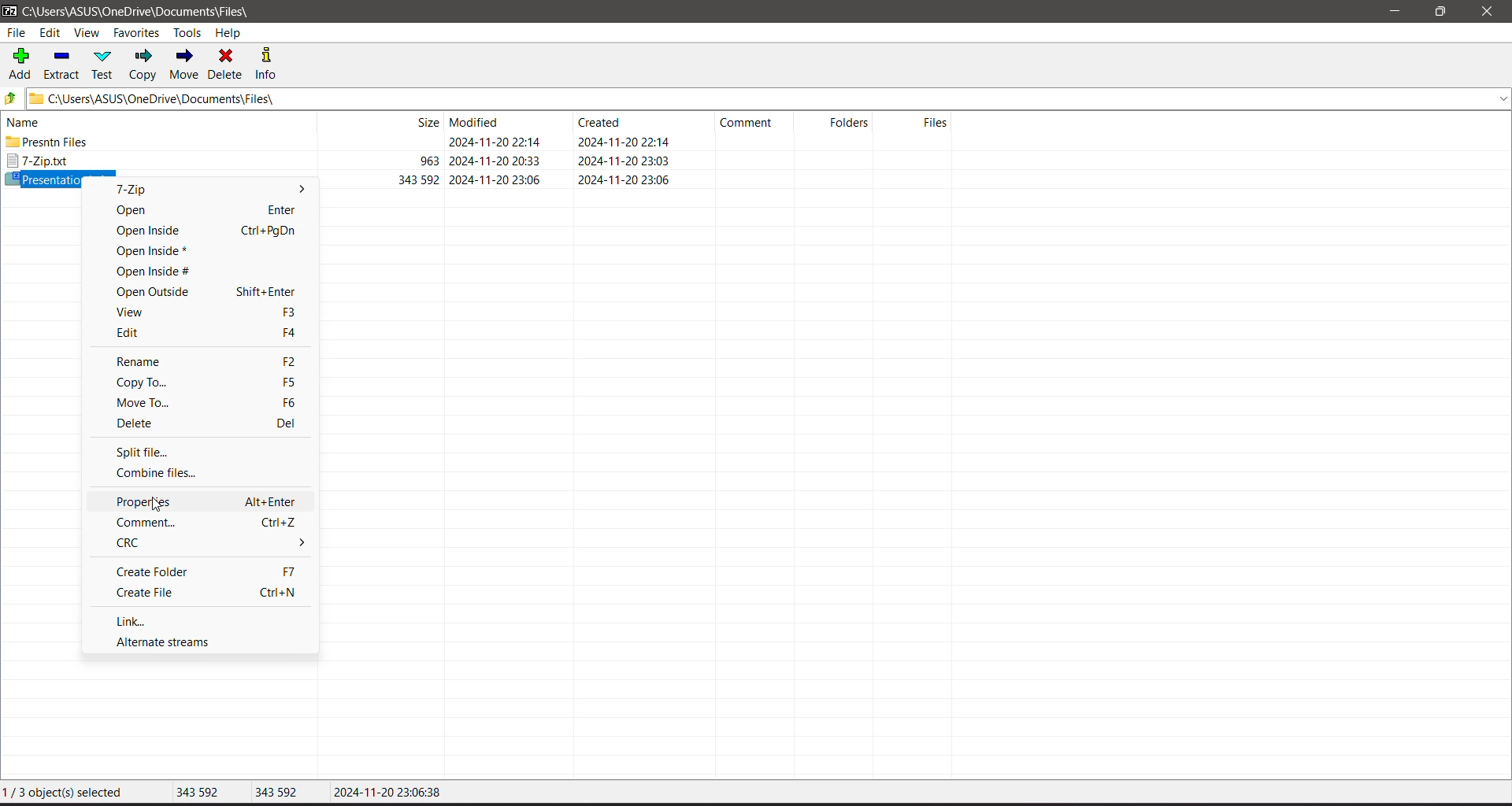 The width and height of the screenshot is (1512, 806). What do you see at coordinates (190, 501) in the screenshot?
I see `Properties` at bounding box center [190, 501].